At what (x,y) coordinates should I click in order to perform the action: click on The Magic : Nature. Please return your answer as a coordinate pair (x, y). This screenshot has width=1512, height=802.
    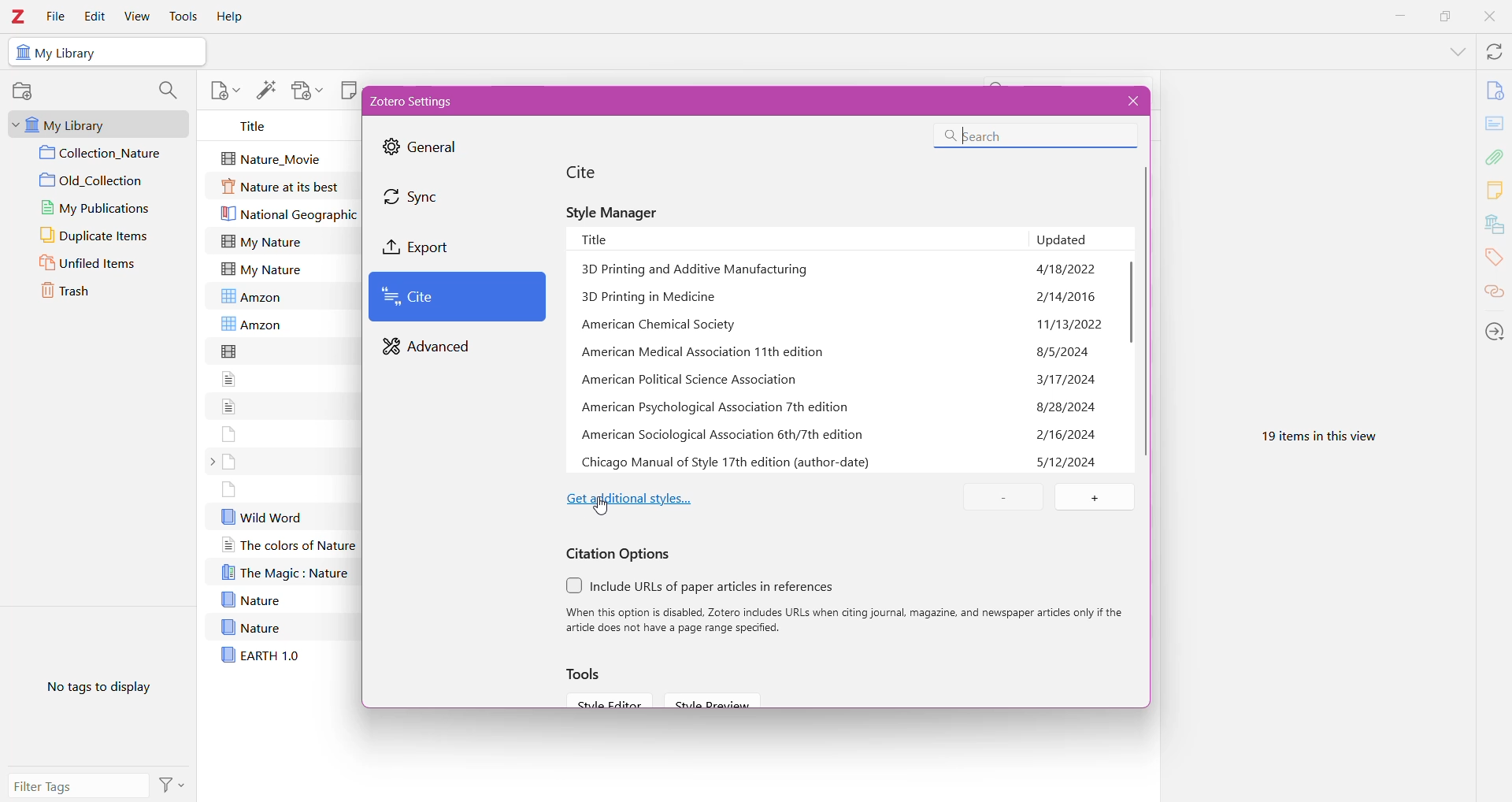
    Looking at the image, I should click on (285, 572).